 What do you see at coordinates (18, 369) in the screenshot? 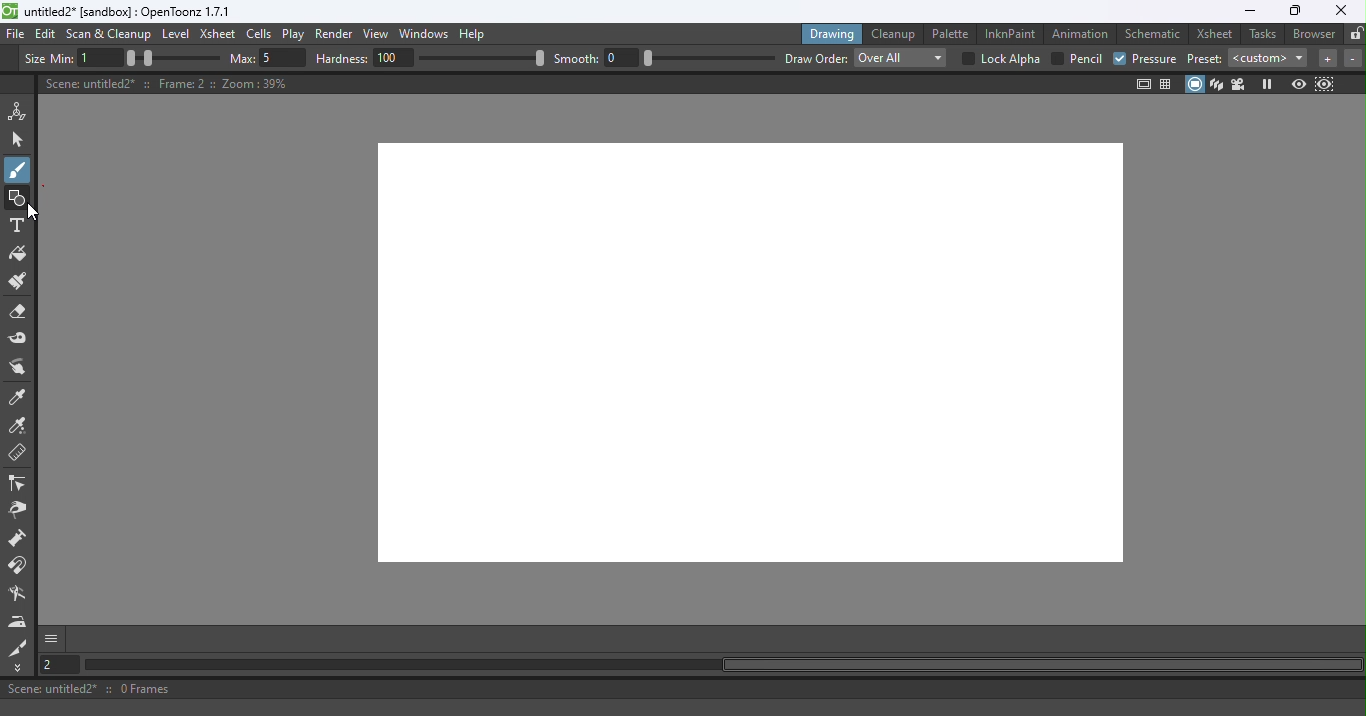
I see `Finger tool` at bounding box center [18, 369].